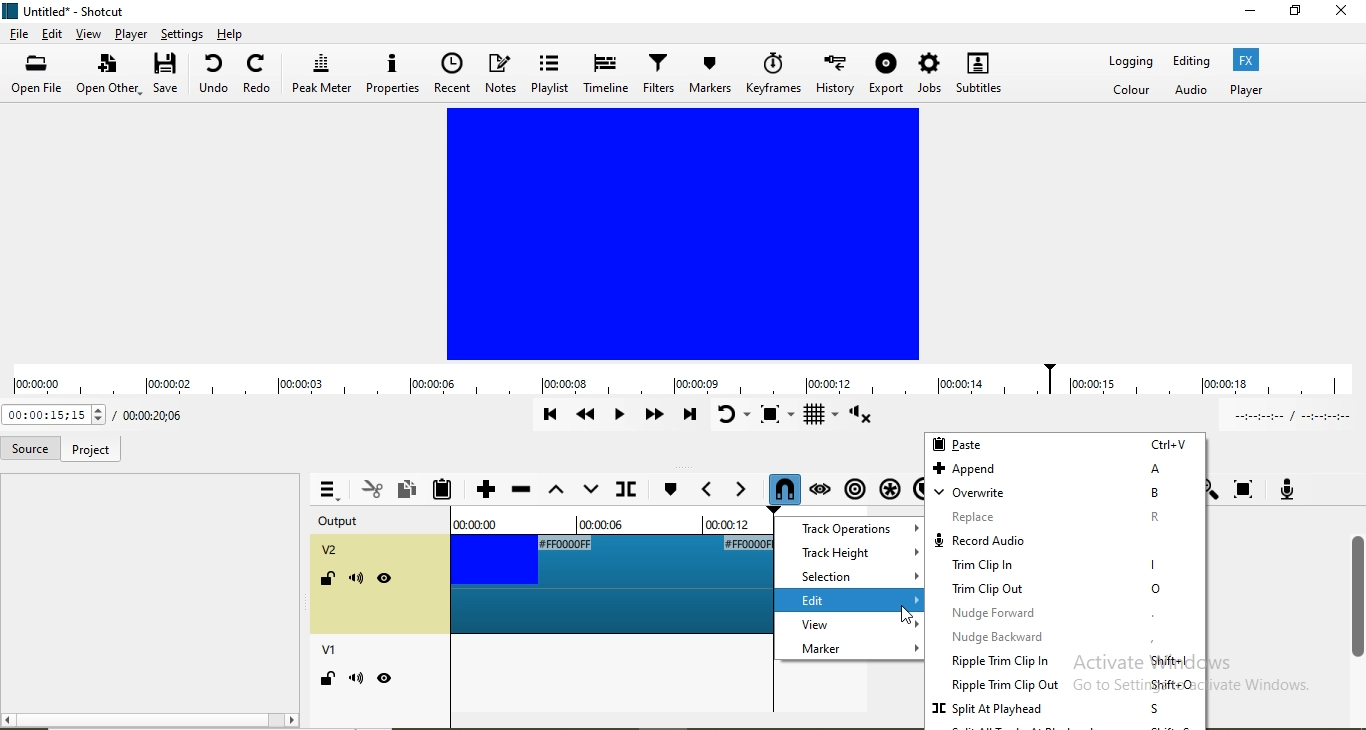  What do you see at coordinates (852, 576) in the screenshot?
I see `selection` at bounding box center [852, 576].